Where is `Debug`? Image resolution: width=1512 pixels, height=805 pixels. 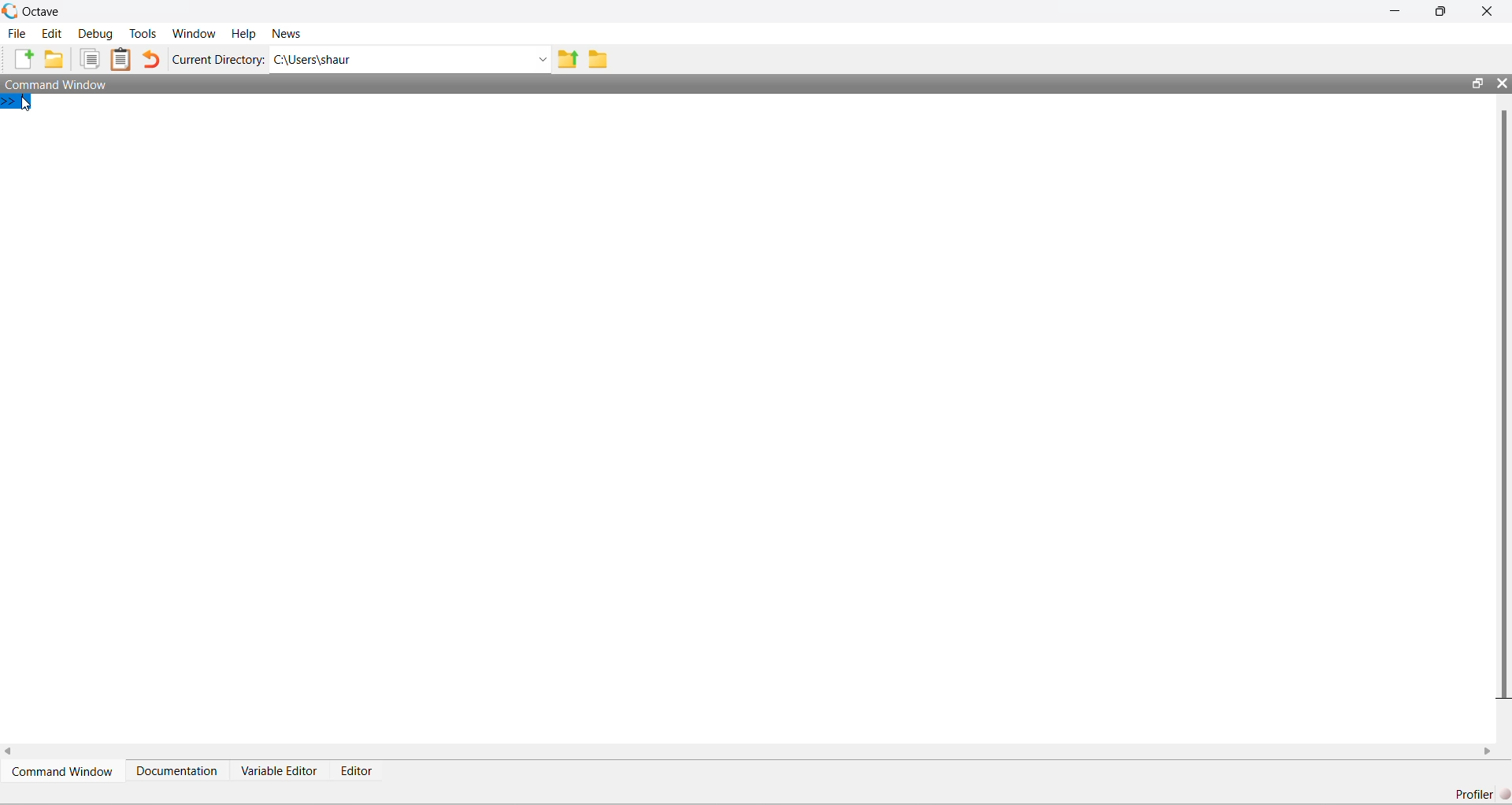
Debug is located at coordinates (95, 34).